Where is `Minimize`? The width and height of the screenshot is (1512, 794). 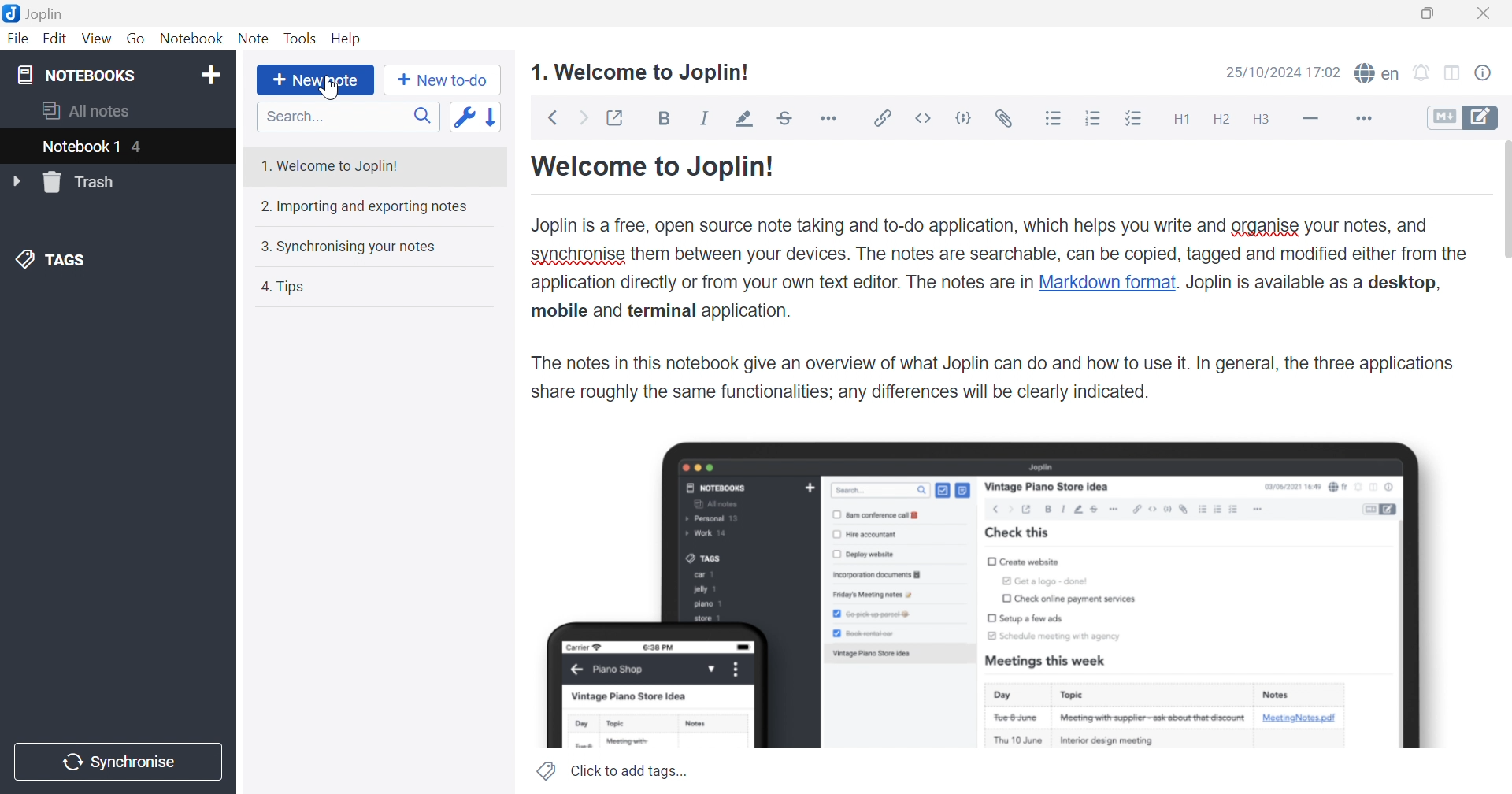 Minimize is located at coordinates (1376, 10).